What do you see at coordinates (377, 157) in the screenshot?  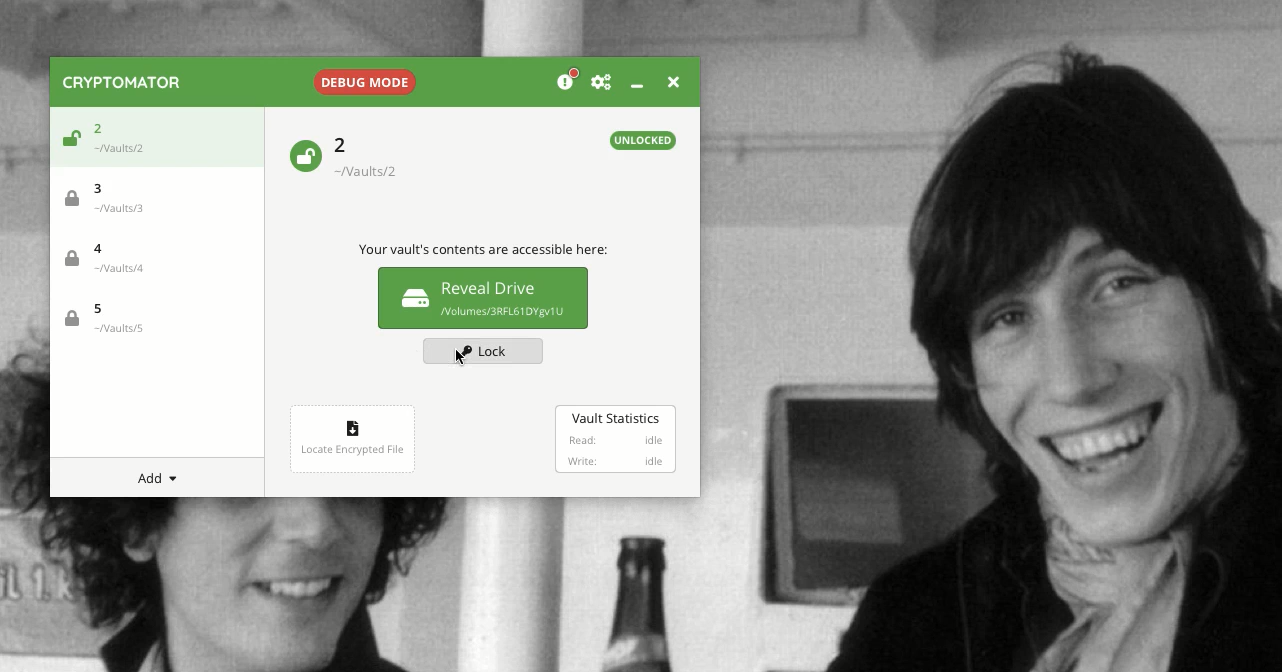 I see `Vault 2` at bounding box center [377, 157].